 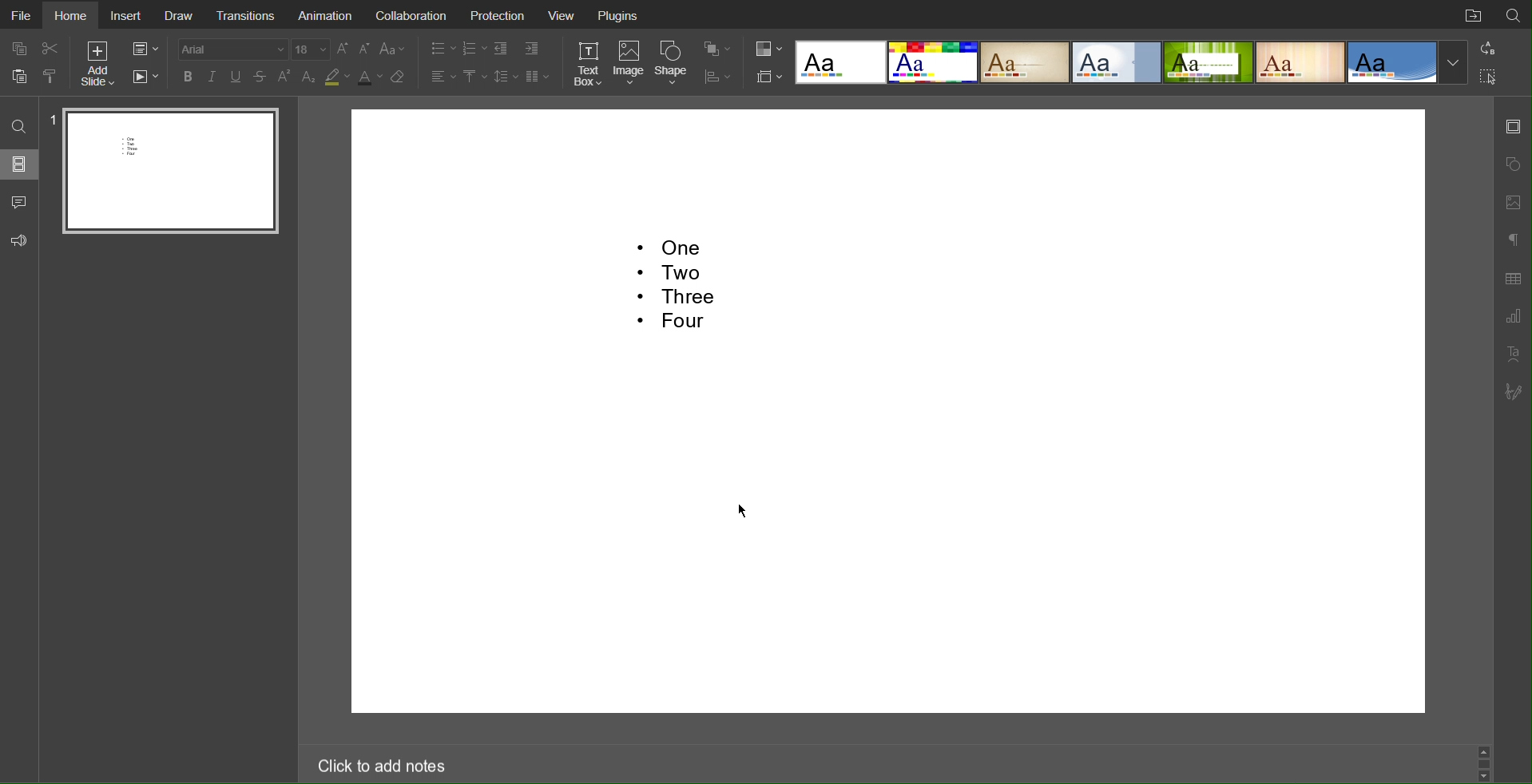 I want to click on Text Box, so click(x=587, y=65).